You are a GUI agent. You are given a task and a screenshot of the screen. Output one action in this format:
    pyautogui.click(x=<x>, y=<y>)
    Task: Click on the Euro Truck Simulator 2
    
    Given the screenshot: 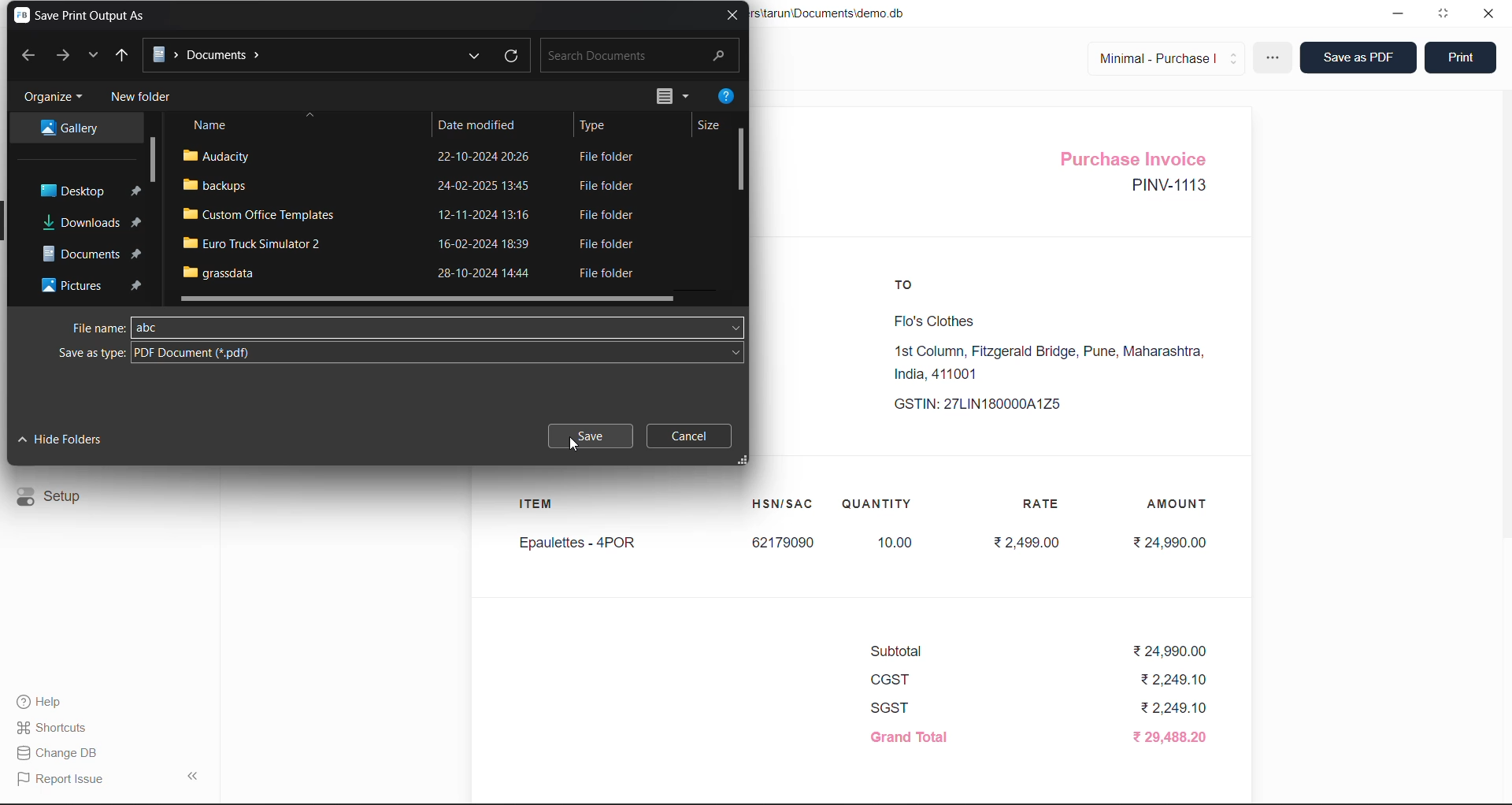 What is the action you would take?
    pyautogui.click(x=258, y=242)
    